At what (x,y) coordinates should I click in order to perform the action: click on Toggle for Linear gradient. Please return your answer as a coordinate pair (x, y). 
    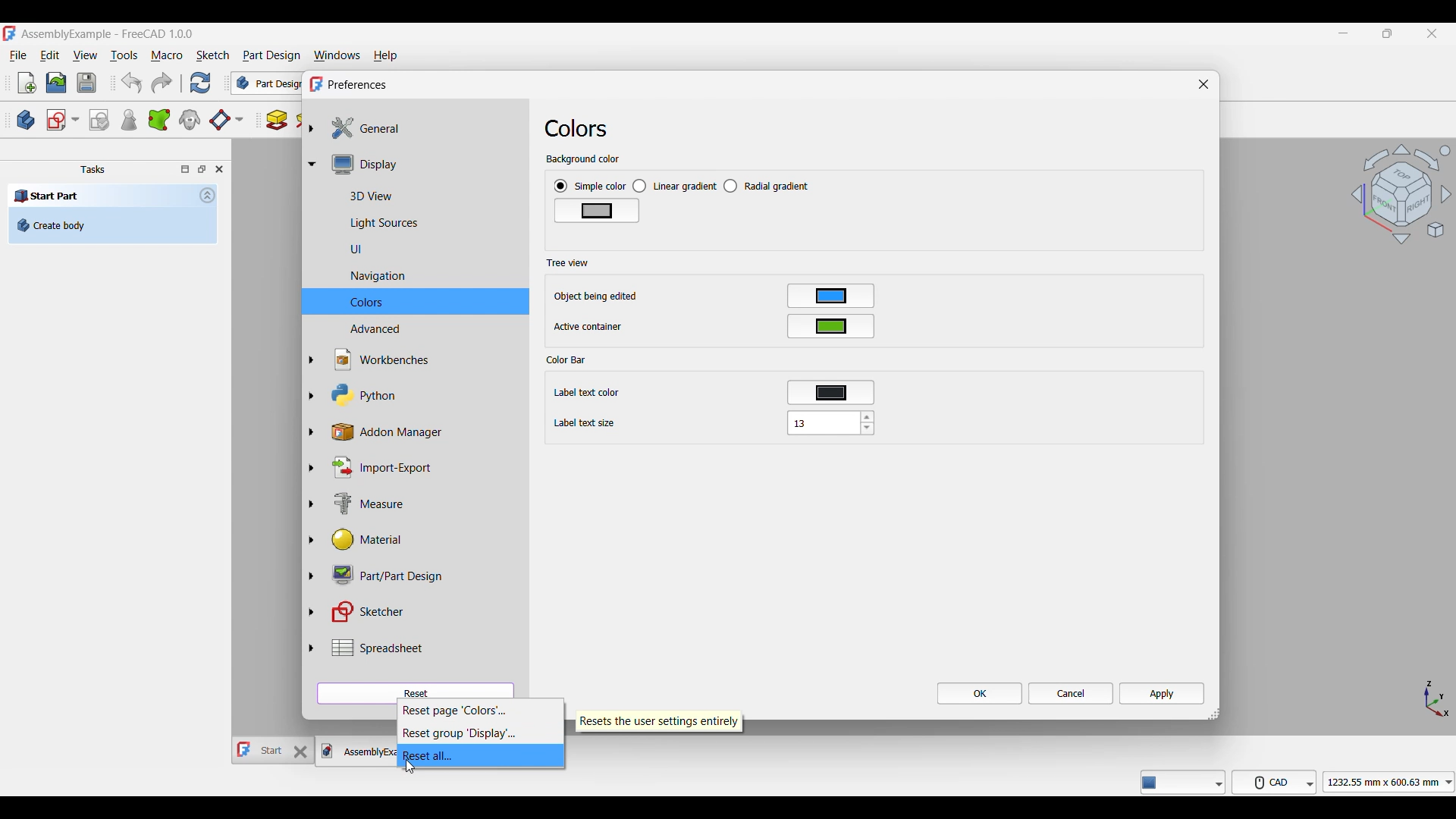
    Looking at the image, I should click on (675, 187).